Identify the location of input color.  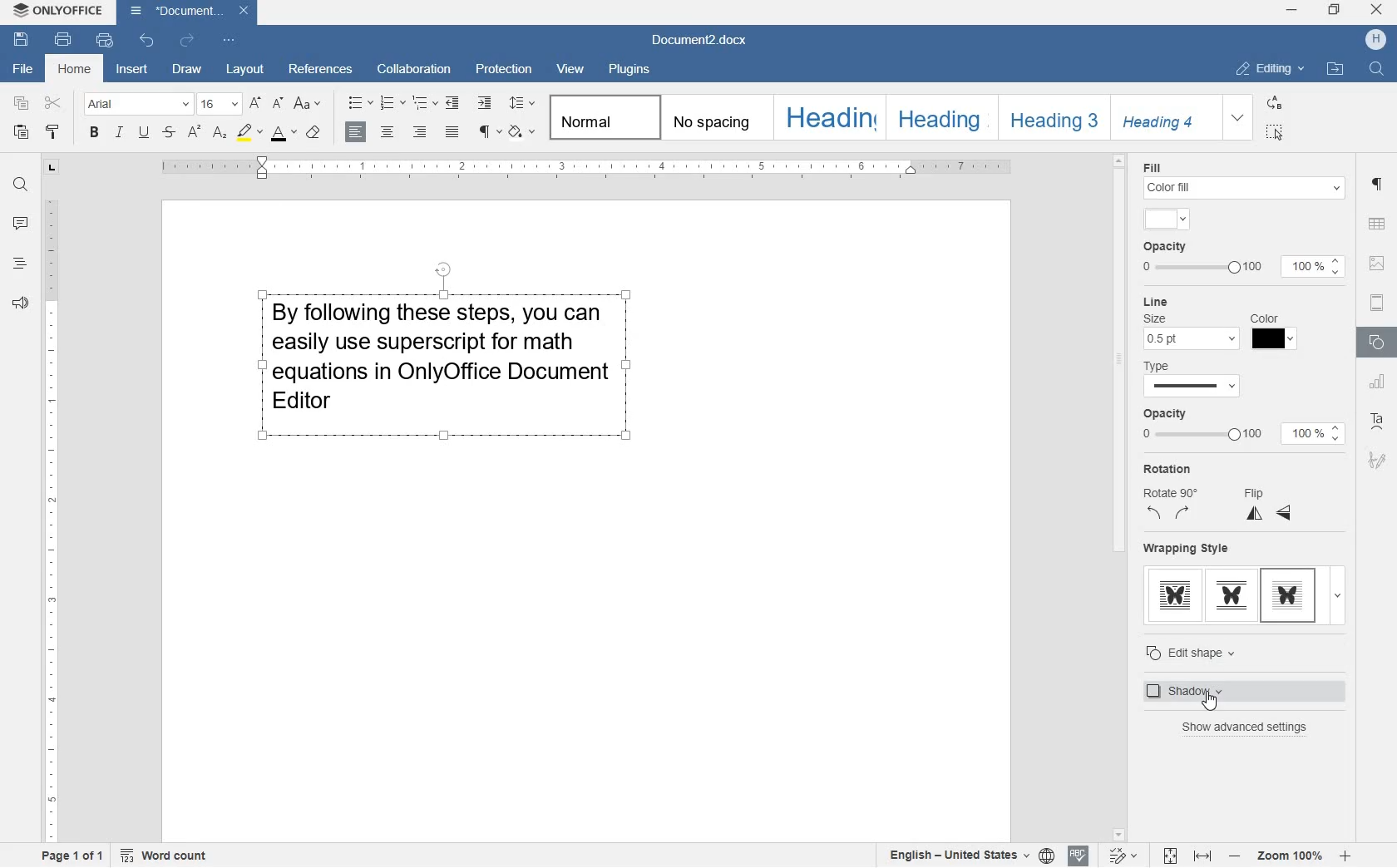
(1166, 219).